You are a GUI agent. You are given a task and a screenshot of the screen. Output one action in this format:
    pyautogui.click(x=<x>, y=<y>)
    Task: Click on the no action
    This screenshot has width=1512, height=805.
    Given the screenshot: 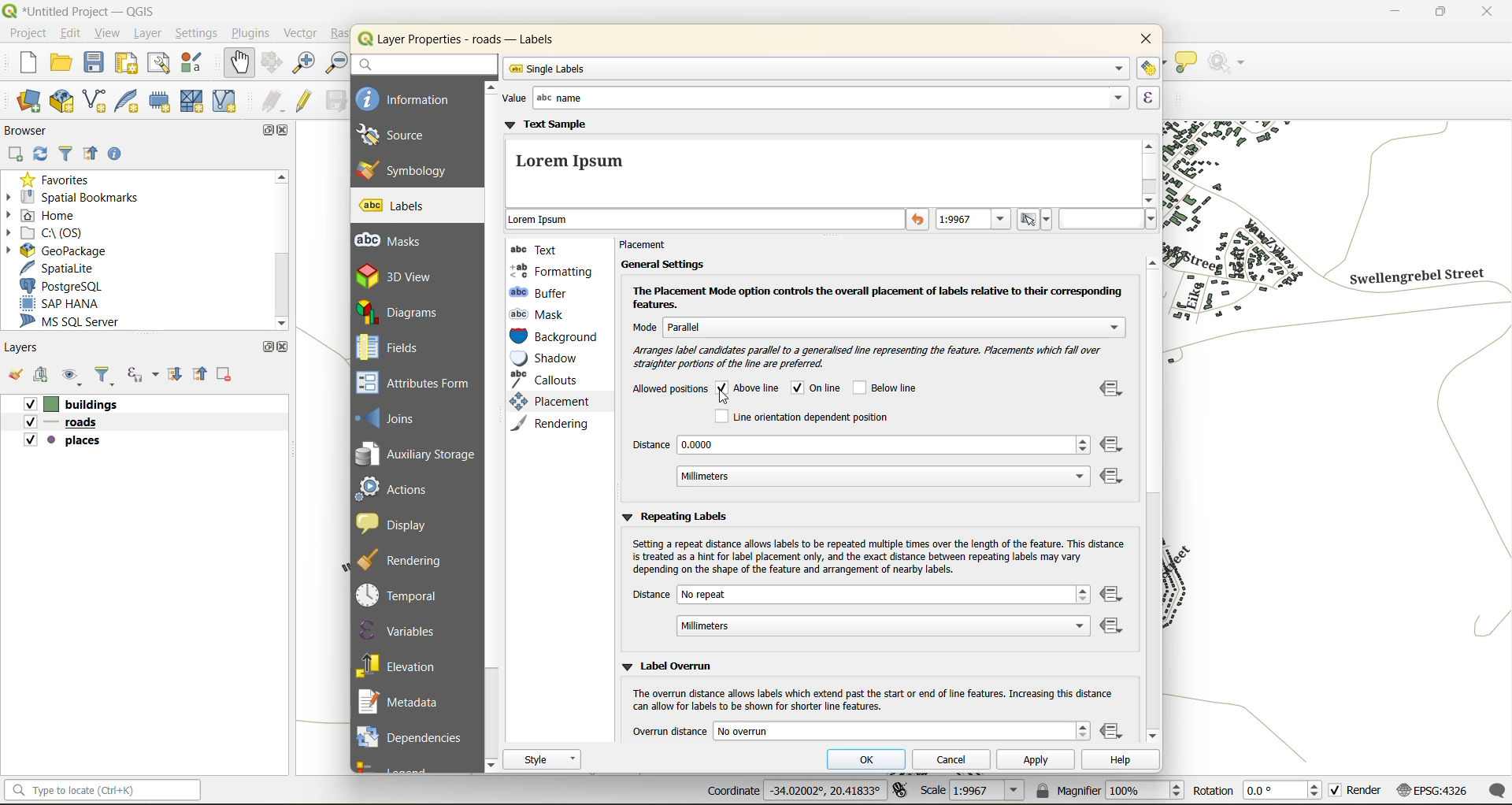 What is the action you would take?
    pyautogui.click(x=1232, y=63)
    